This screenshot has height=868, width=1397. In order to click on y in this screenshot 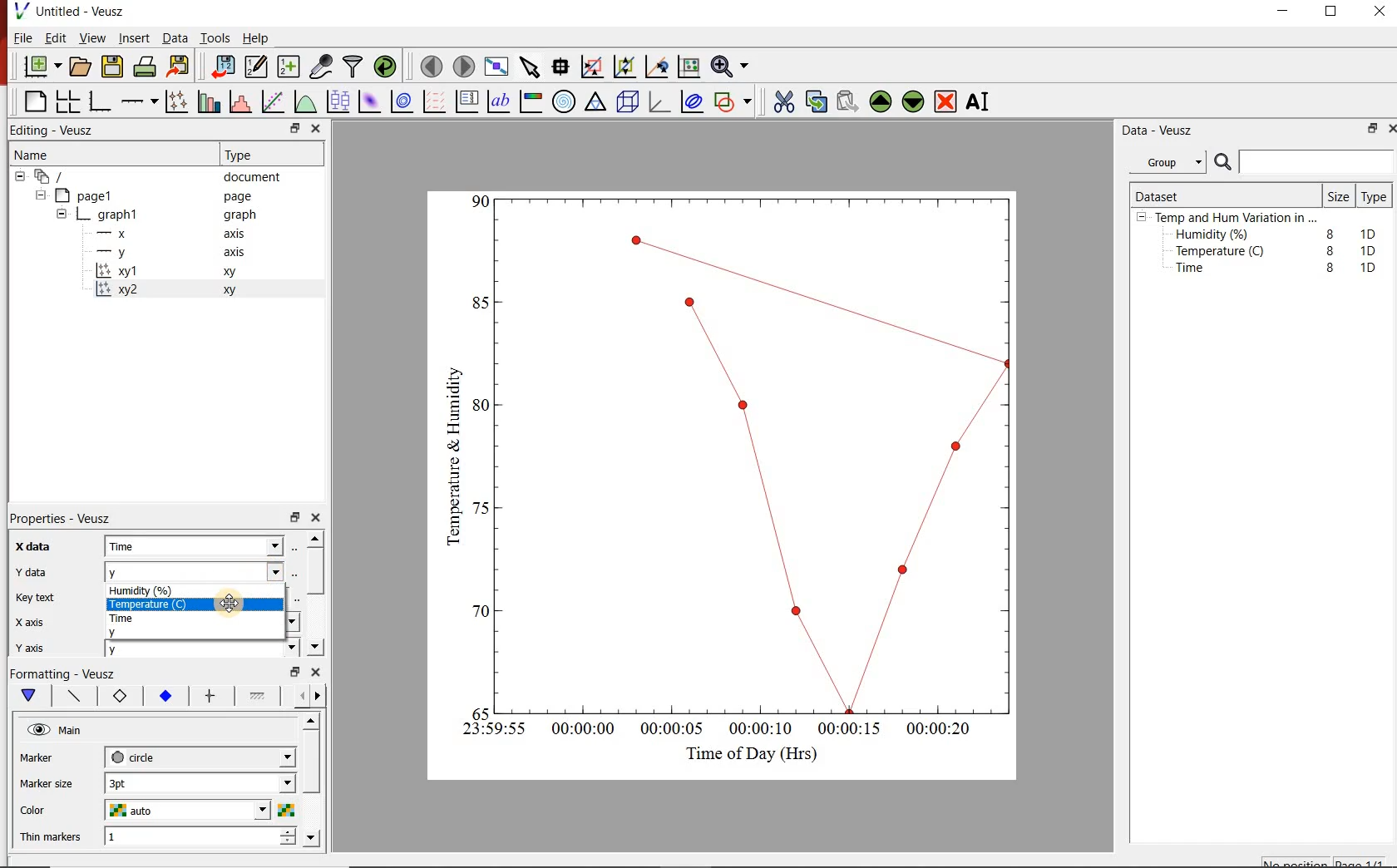, I will do `click(127, 633)`.